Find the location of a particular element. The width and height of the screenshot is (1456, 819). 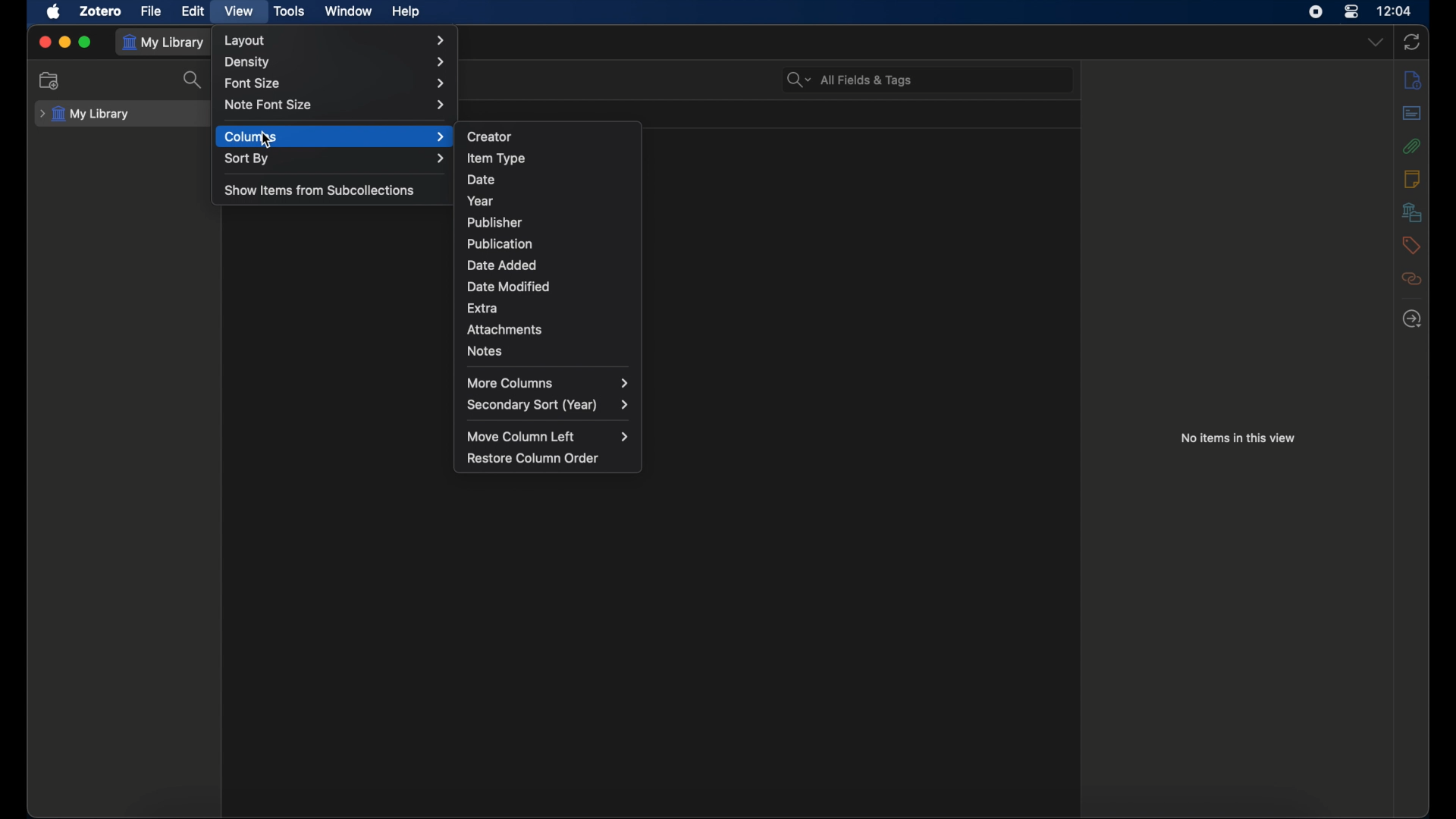

date added is located at coordinates (502, 265).